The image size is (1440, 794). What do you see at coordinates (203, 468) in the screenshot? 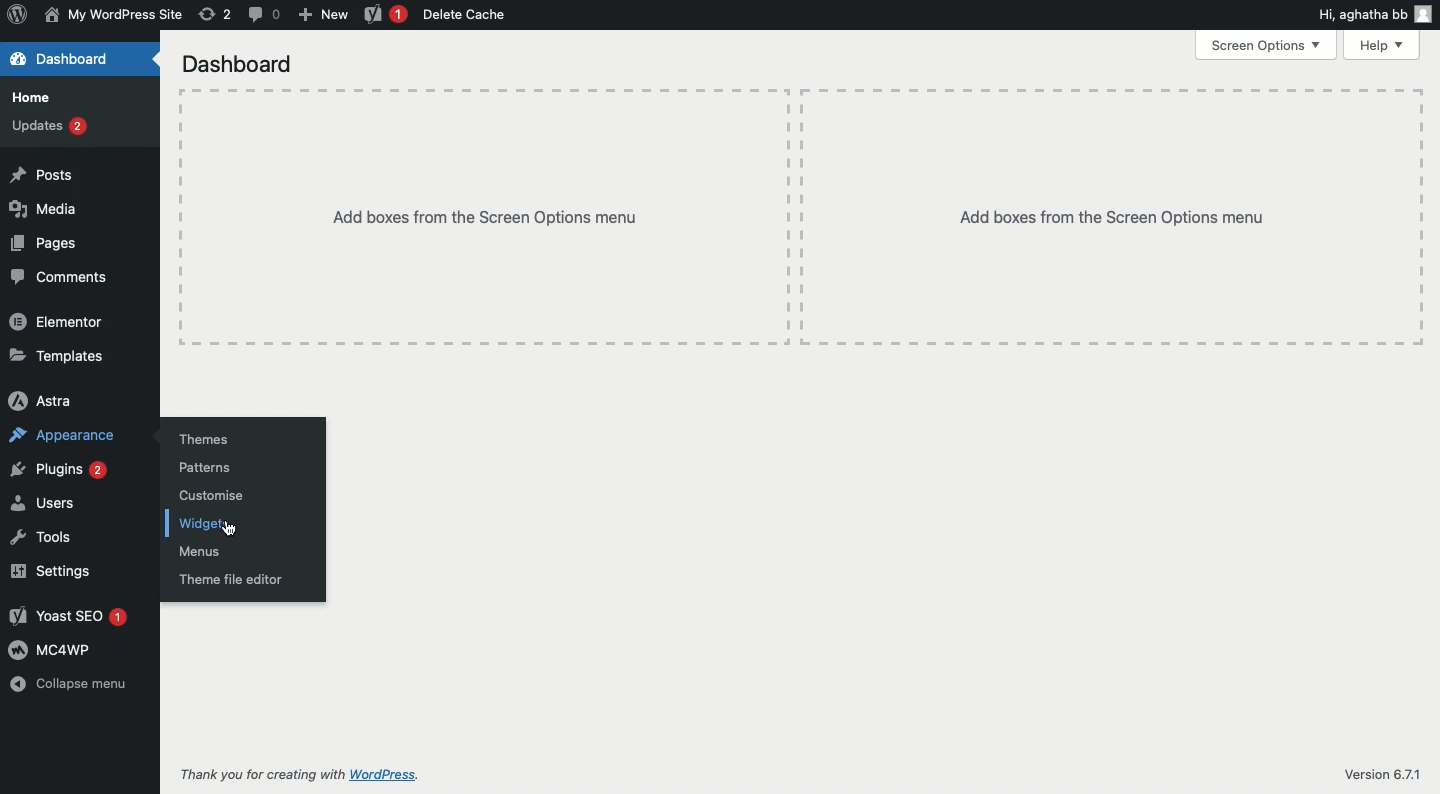
I see `Patterns` at bounding box center [203, 468].